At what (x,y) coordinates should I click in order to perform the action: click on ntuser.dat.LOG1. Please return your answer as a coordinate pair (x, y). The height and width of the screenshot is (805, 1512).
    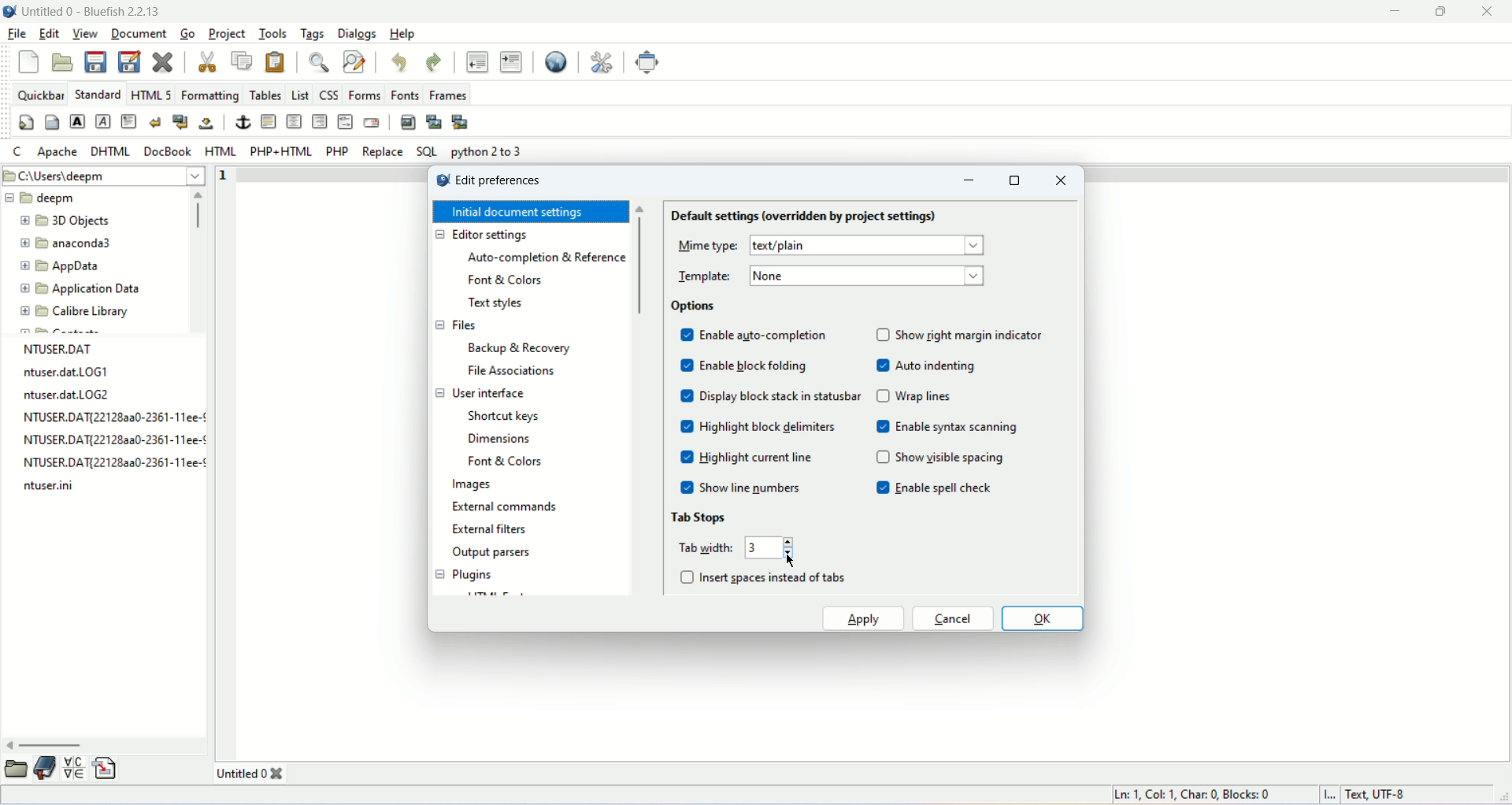
    Looking at the image, I should click on (61, 374).